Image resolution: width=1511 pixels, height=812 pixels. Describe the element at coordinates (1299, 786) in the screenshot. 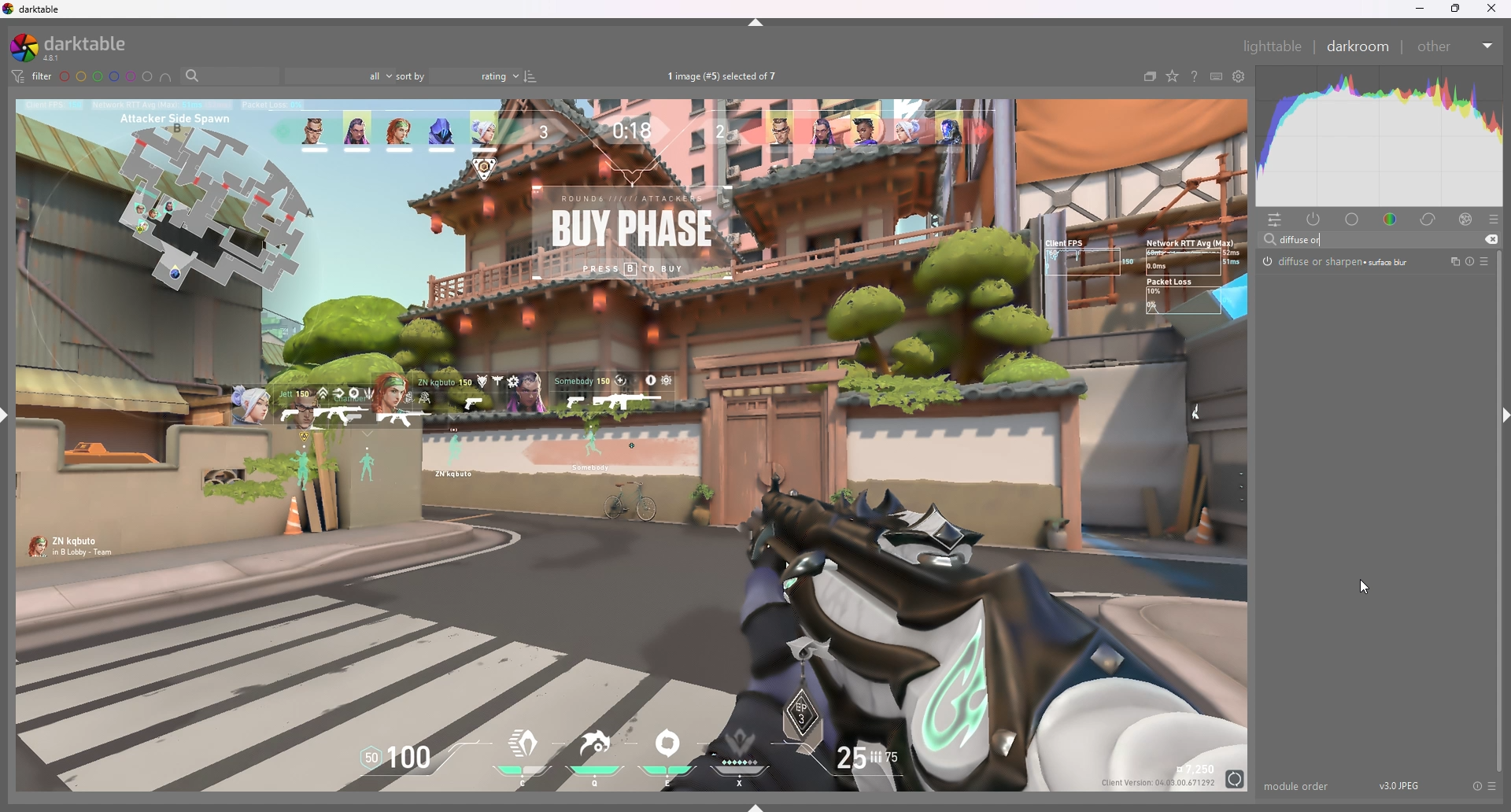

I see `module order` at that location.